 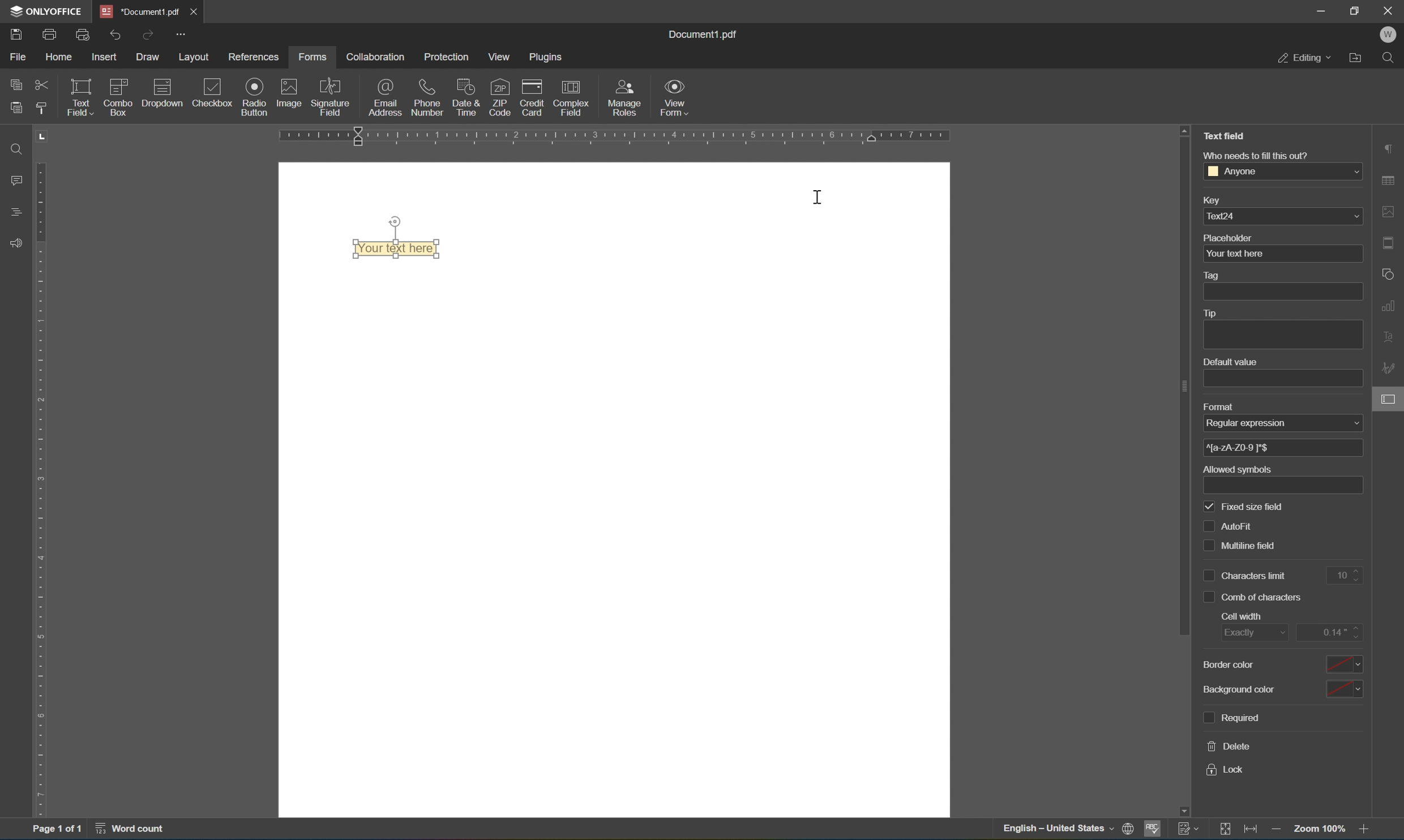 What do you see at coordinates (1304, 57) in the screenshot?
I see `editing` at bounding box center [1304, 57].